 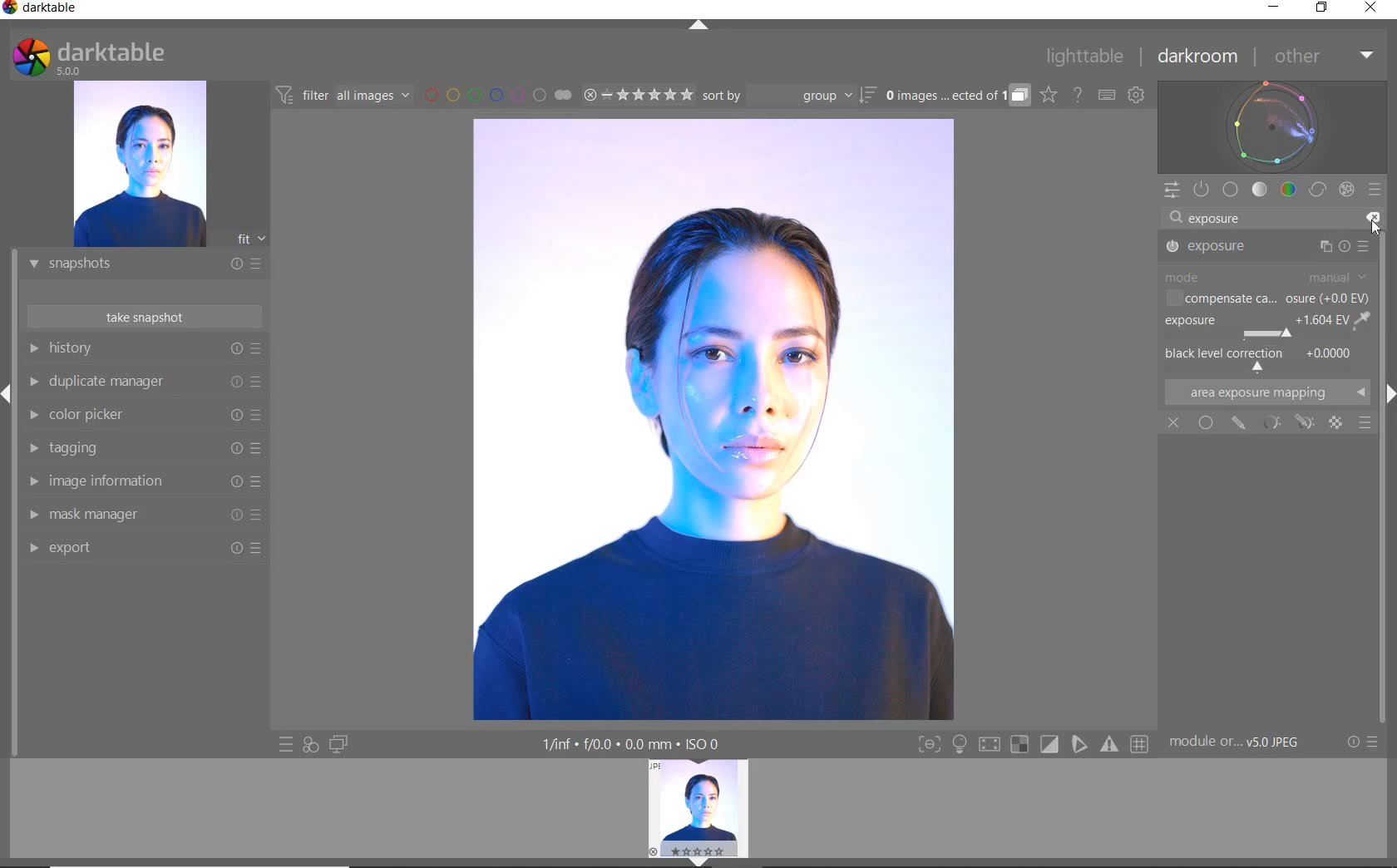 I want to click on Button, so click(x=1050, y=745).